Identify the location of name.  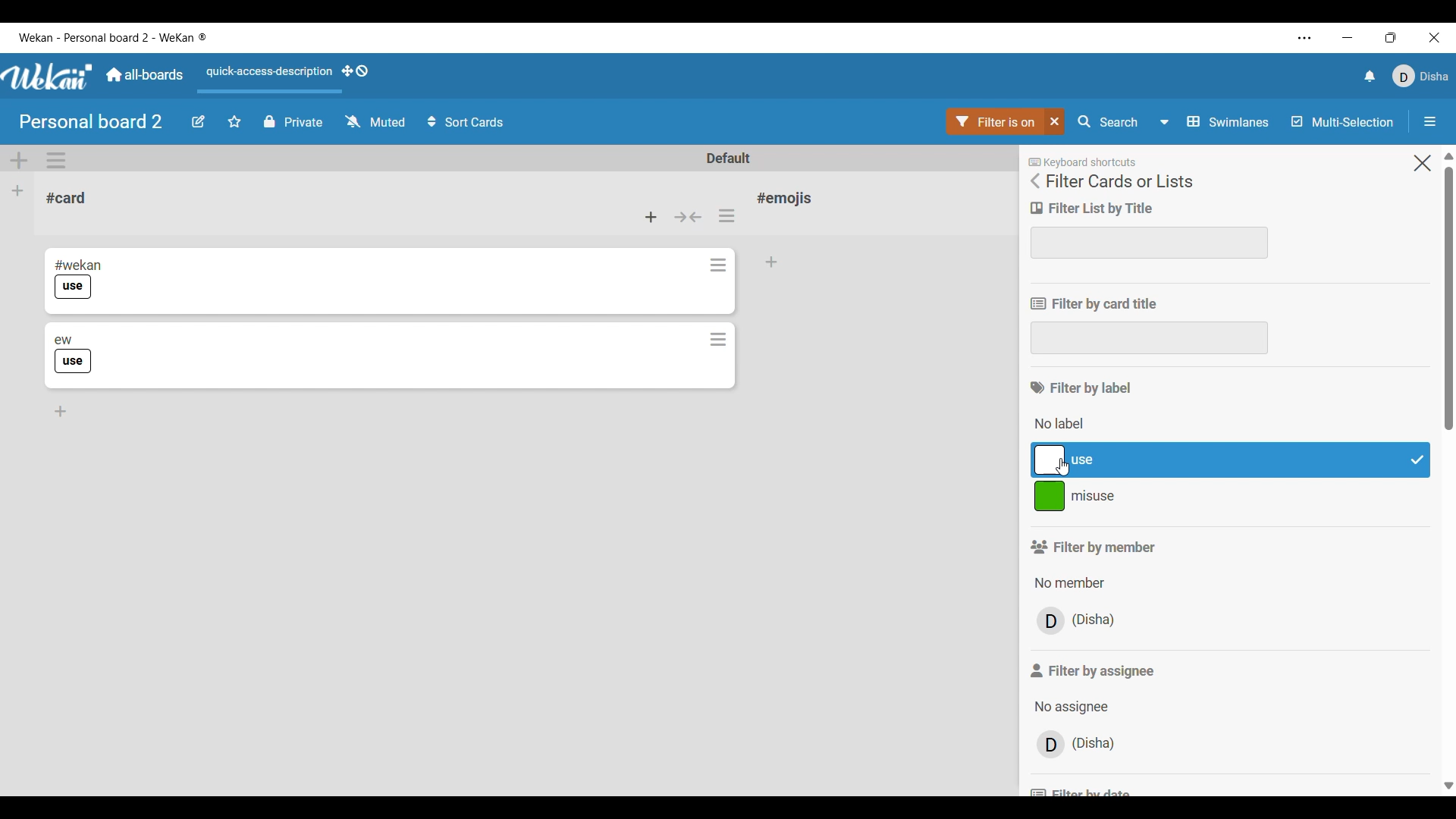
(1097, 743).